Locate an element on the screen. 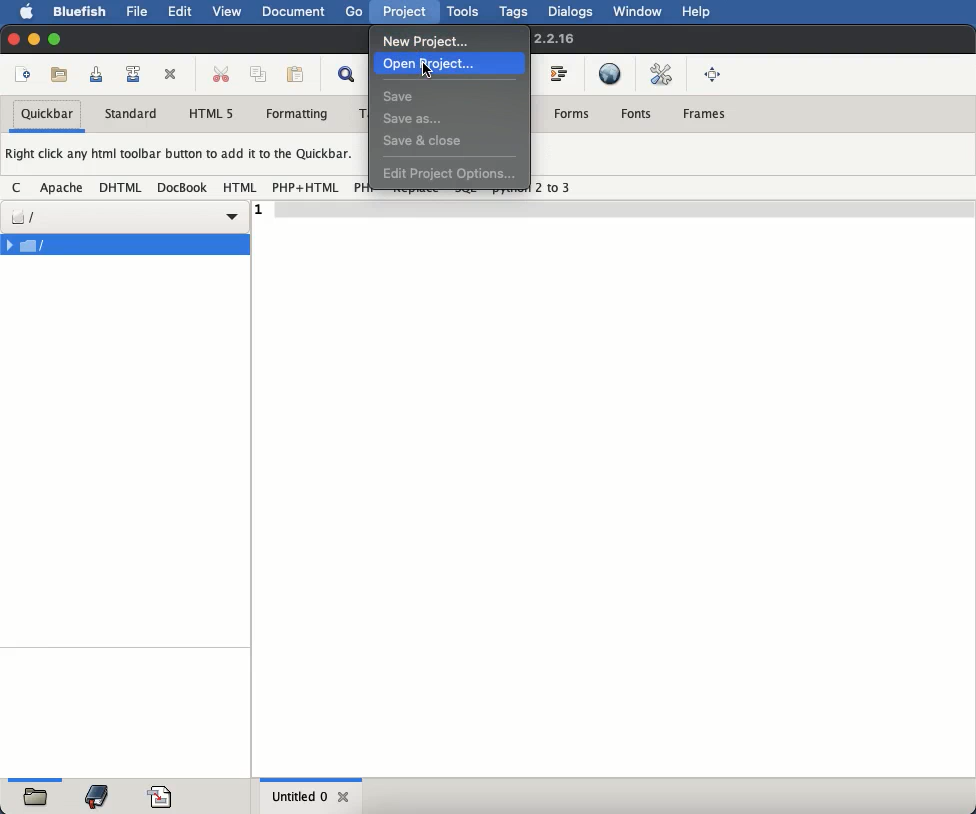  standard  is located at coordinates (134, 115).